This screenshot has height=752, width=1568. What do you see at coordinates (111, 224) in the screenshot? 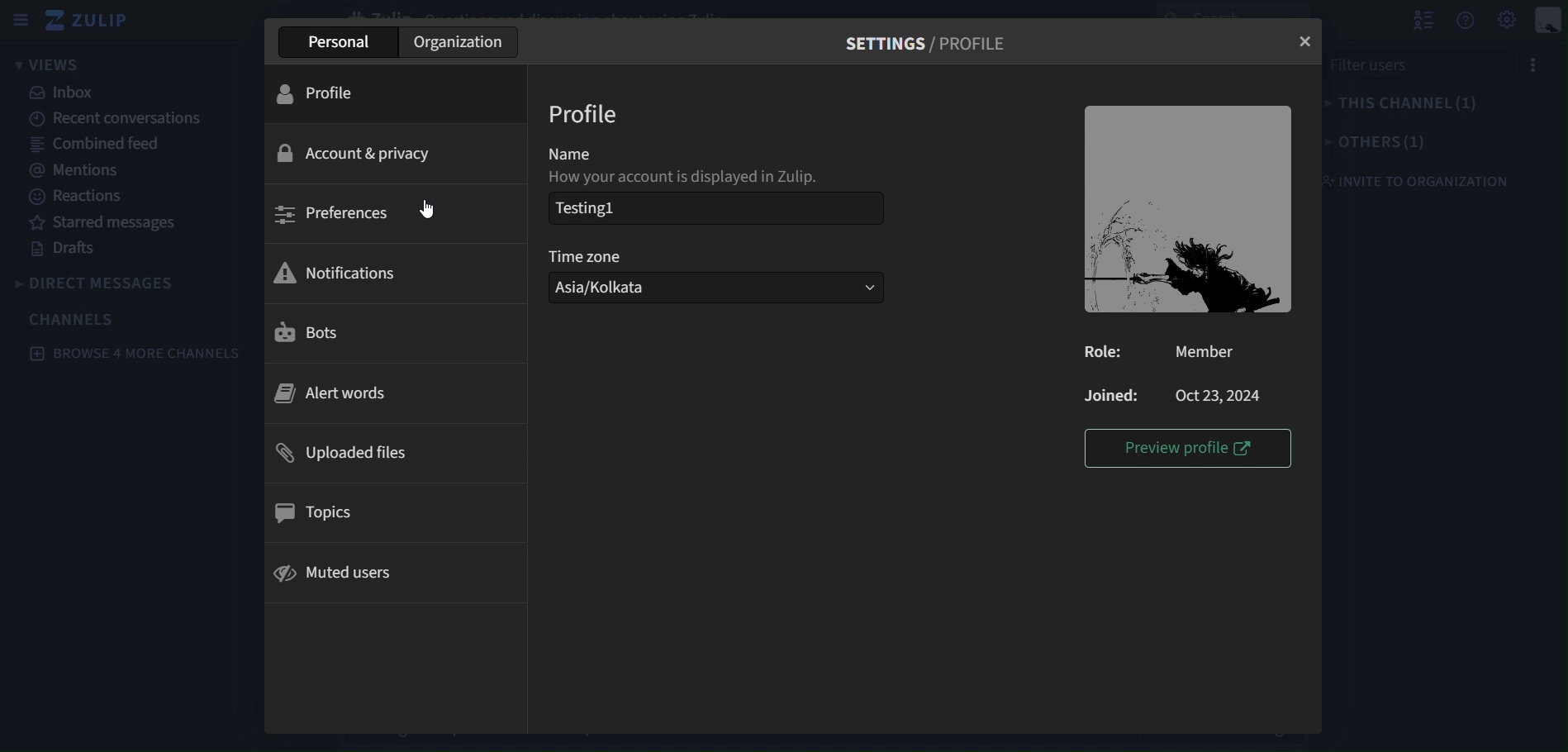
I see `starred messages` at bounding box center [111, 224].